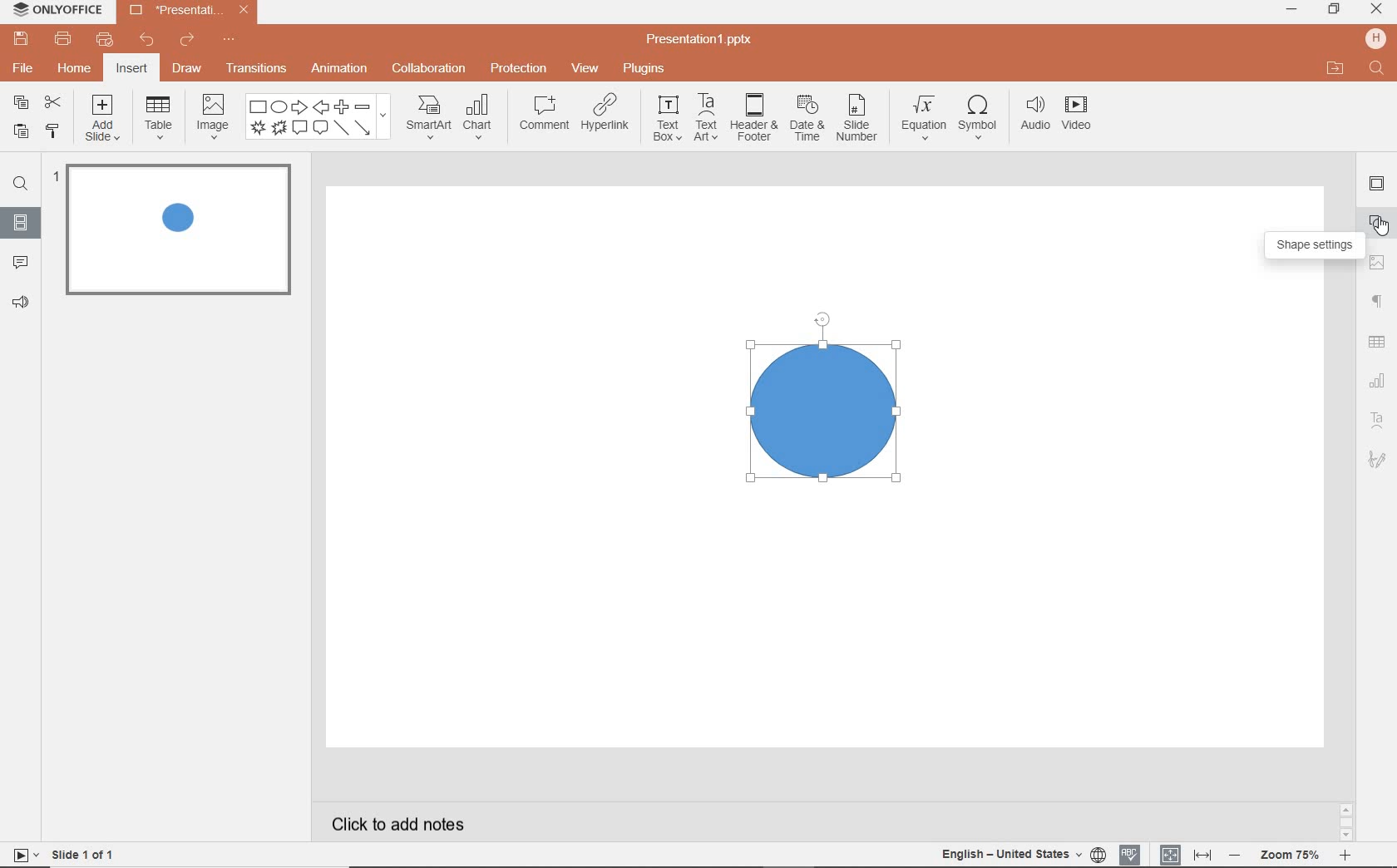 The width and height of the screenshot is (1397, 868). What do you see at coordinates (212, 120) in the screenshot?
I see `image` at bounding box center [212, 120].